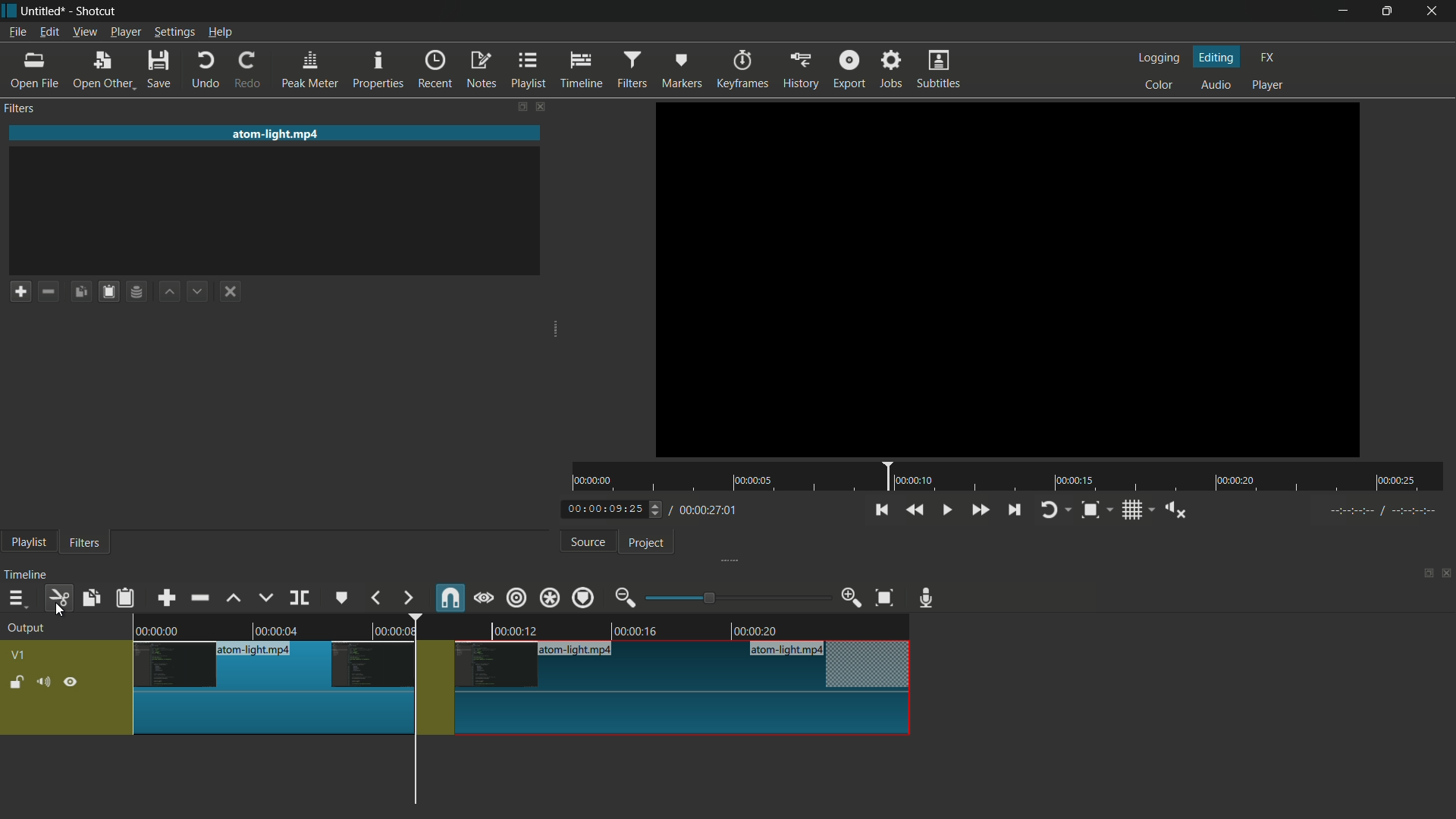  What do you see at coordinates (1016, 511) in the screenshot?
I see `skip to the next point` at bounding box center [1016, 511].